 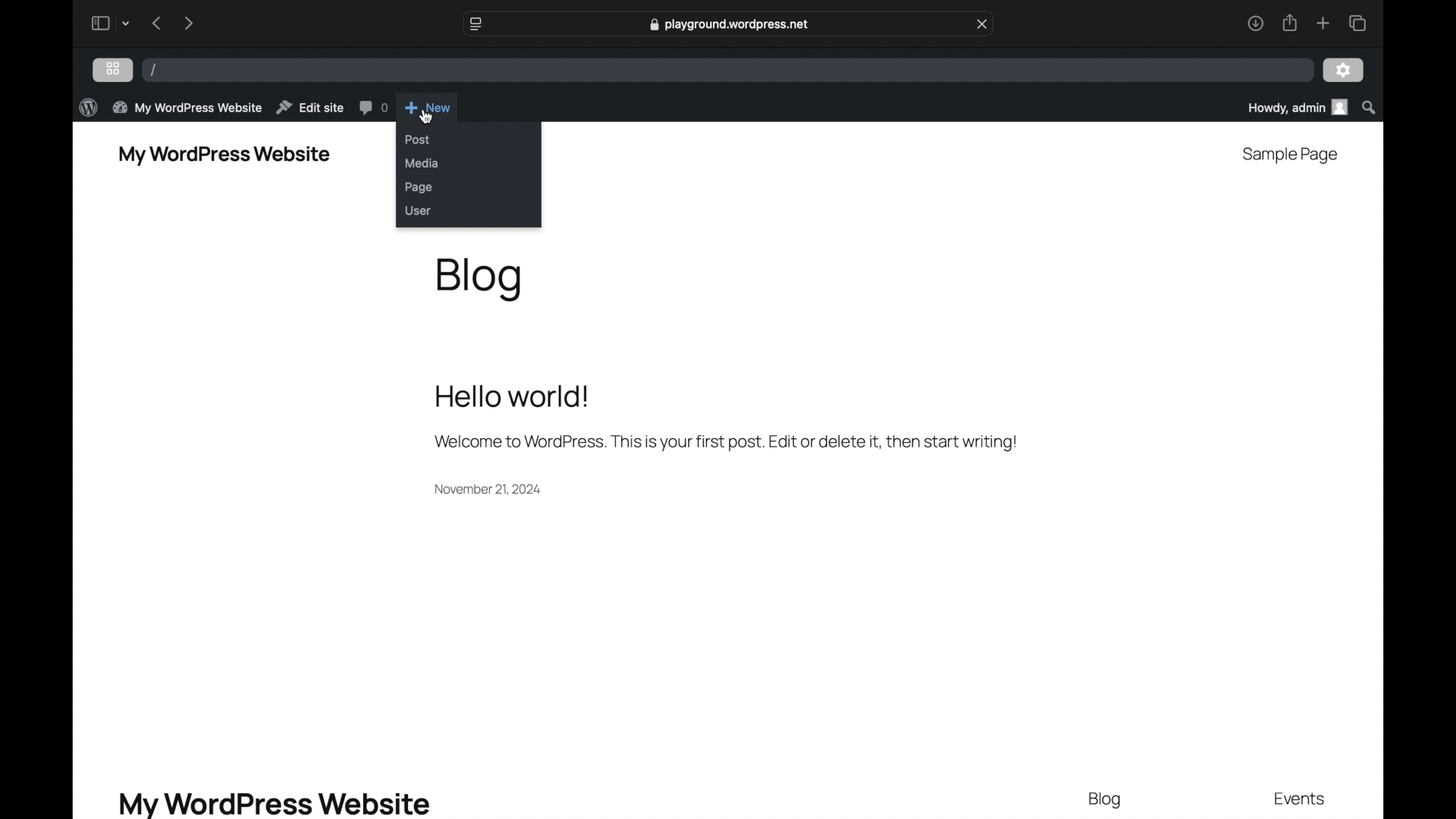 What do you see at coordinates (156, 24) in the screenshot?
I see `previous page` at bounding box center [156, 24].